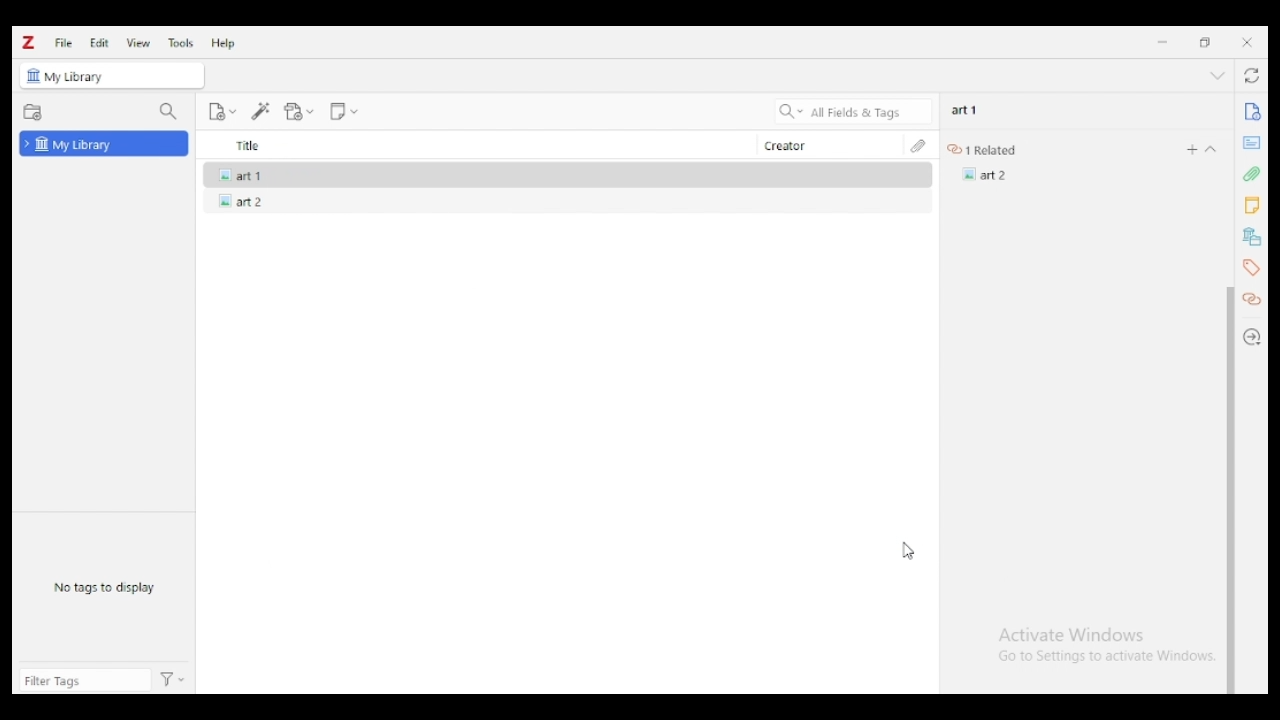  I want to click on add, so click(1192, 149).